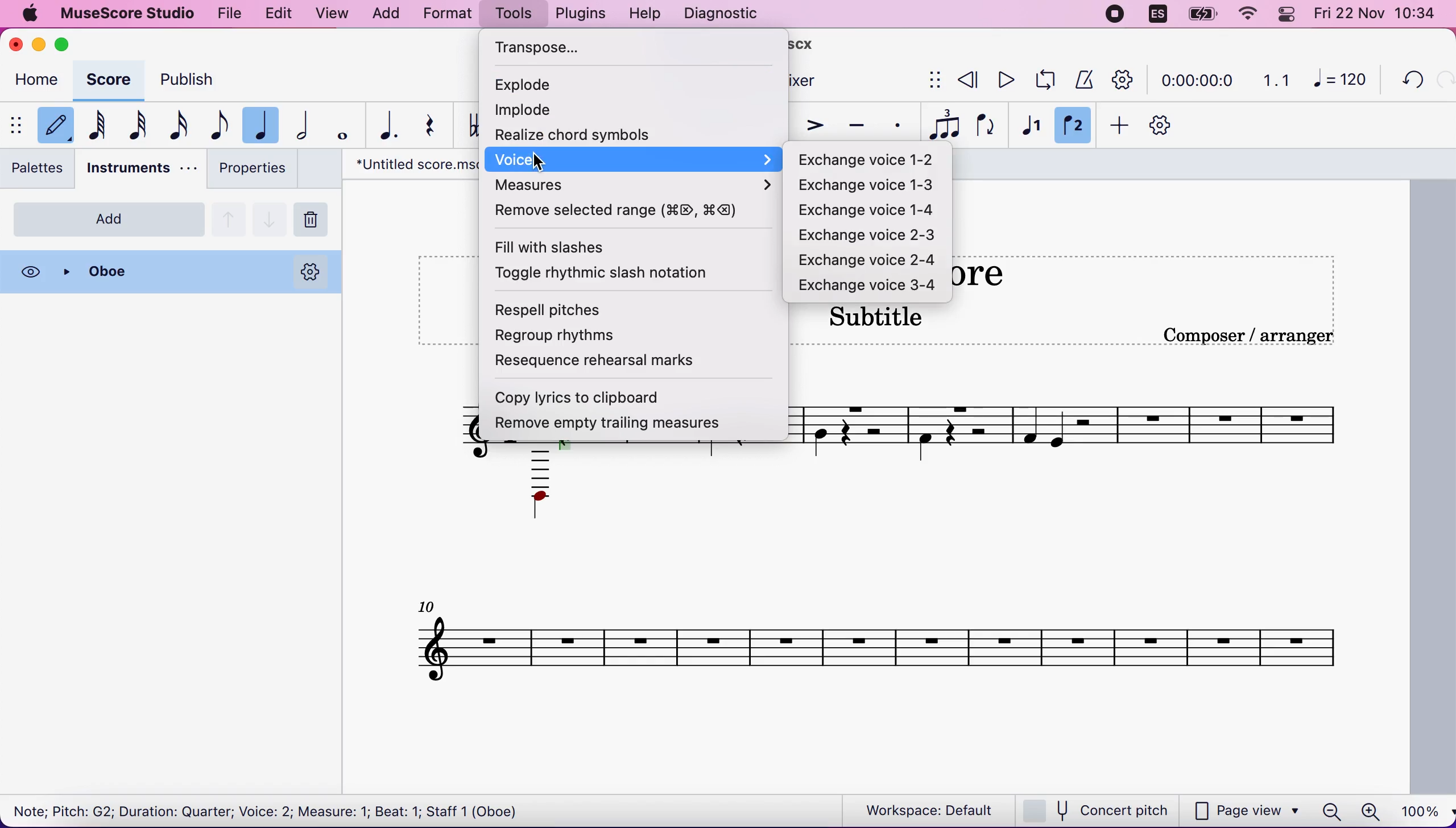  Describe the element at coordinates (18, 127) in the screenshot. I see `show/hide` at that location.